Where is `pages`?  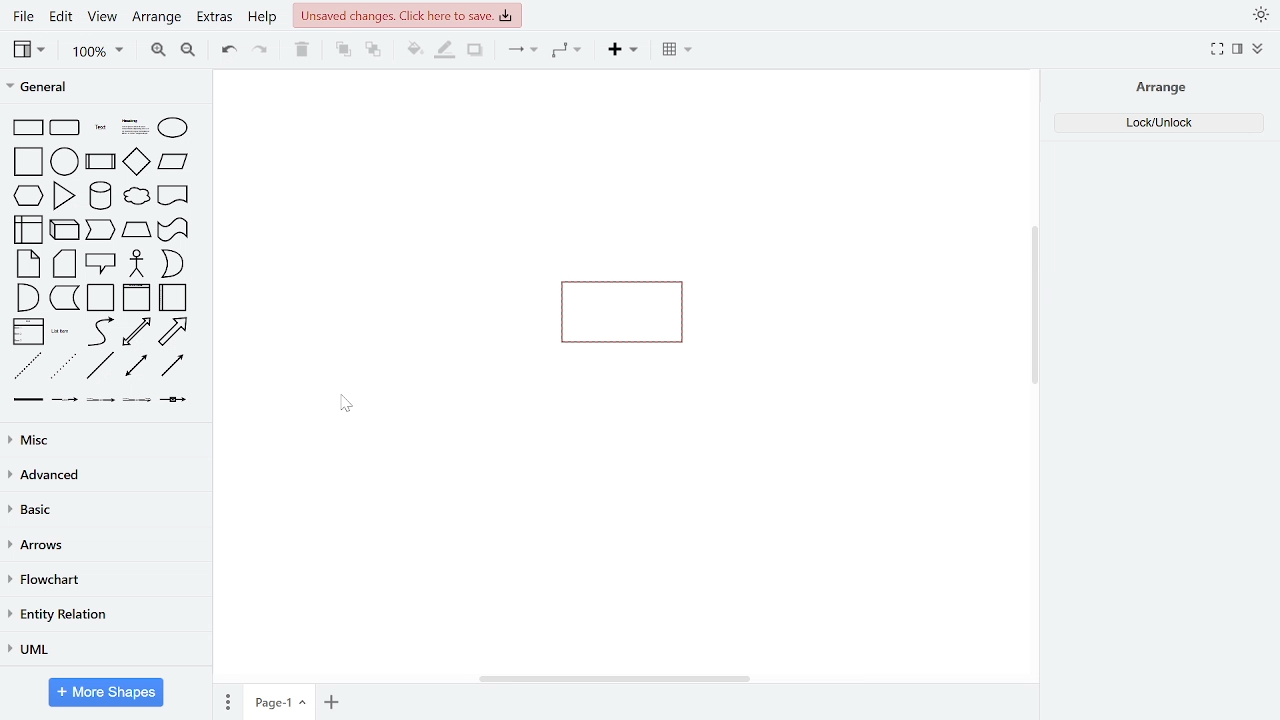
pages is located at coordinates (227, 701).